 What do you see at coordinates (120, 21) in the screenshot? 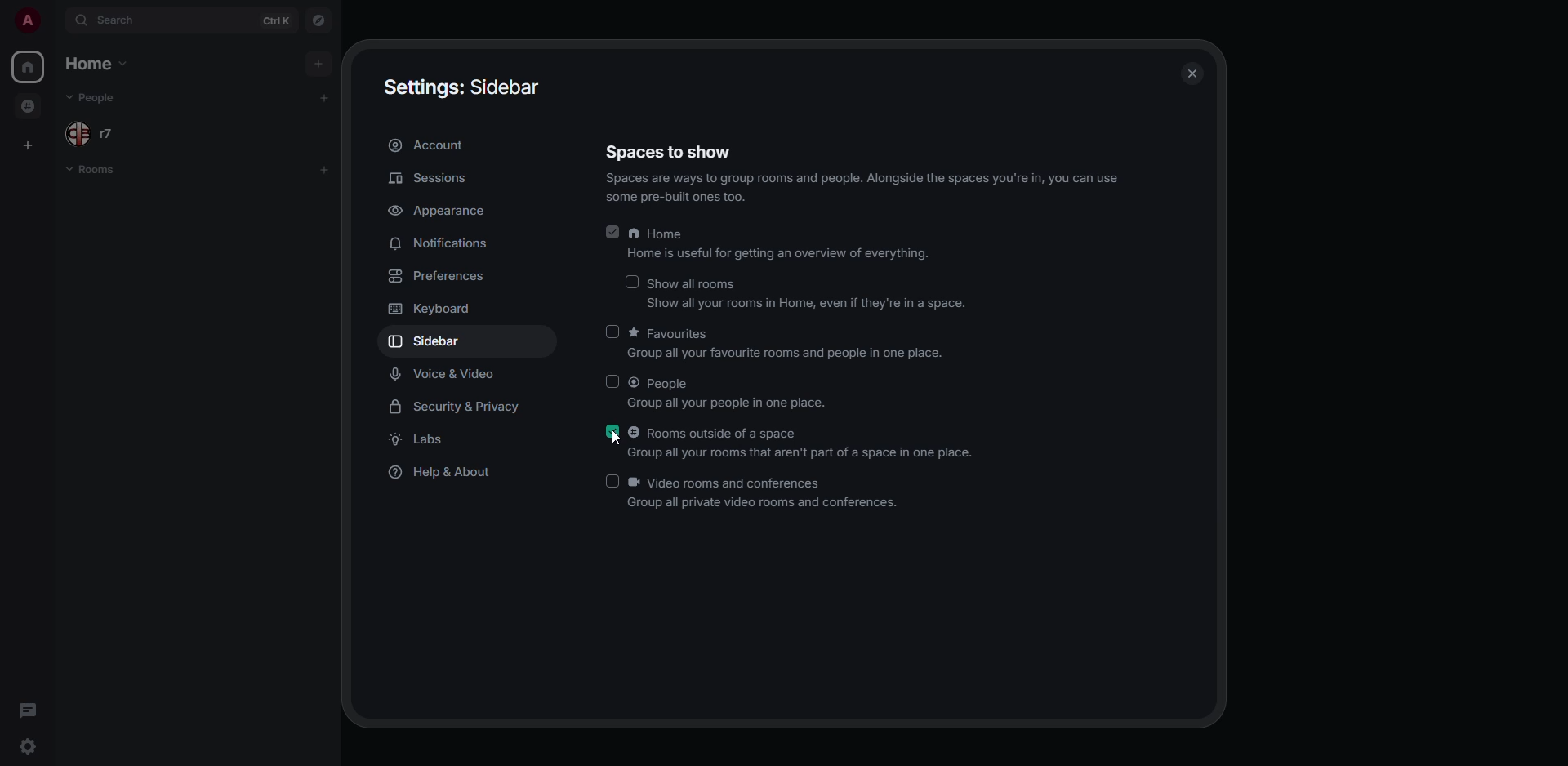
I see `search` at bounding box center [120, 21].